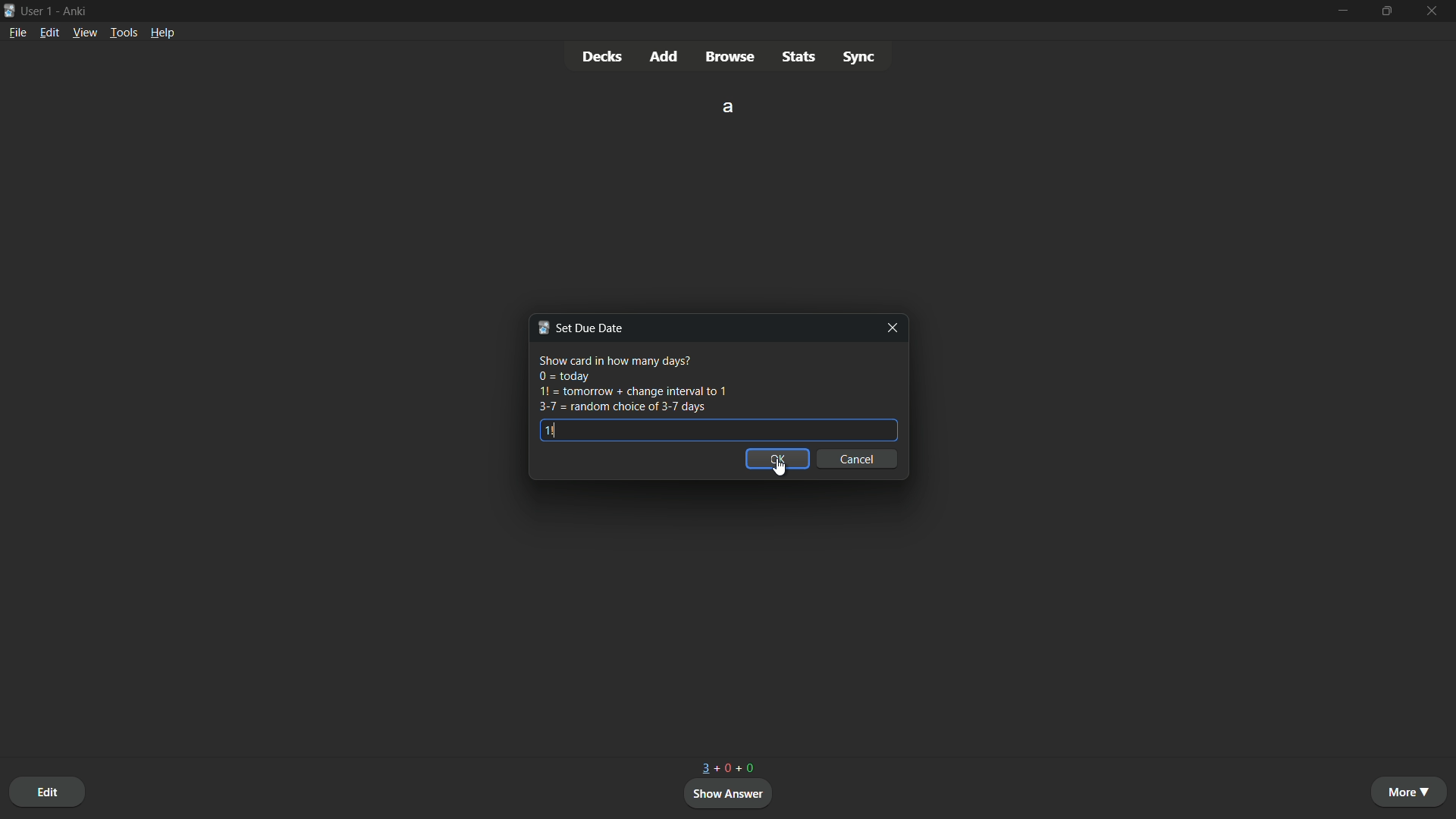  Describe the element at coordinates (17, 33) in the screenshot. I see `file menu` at that location.